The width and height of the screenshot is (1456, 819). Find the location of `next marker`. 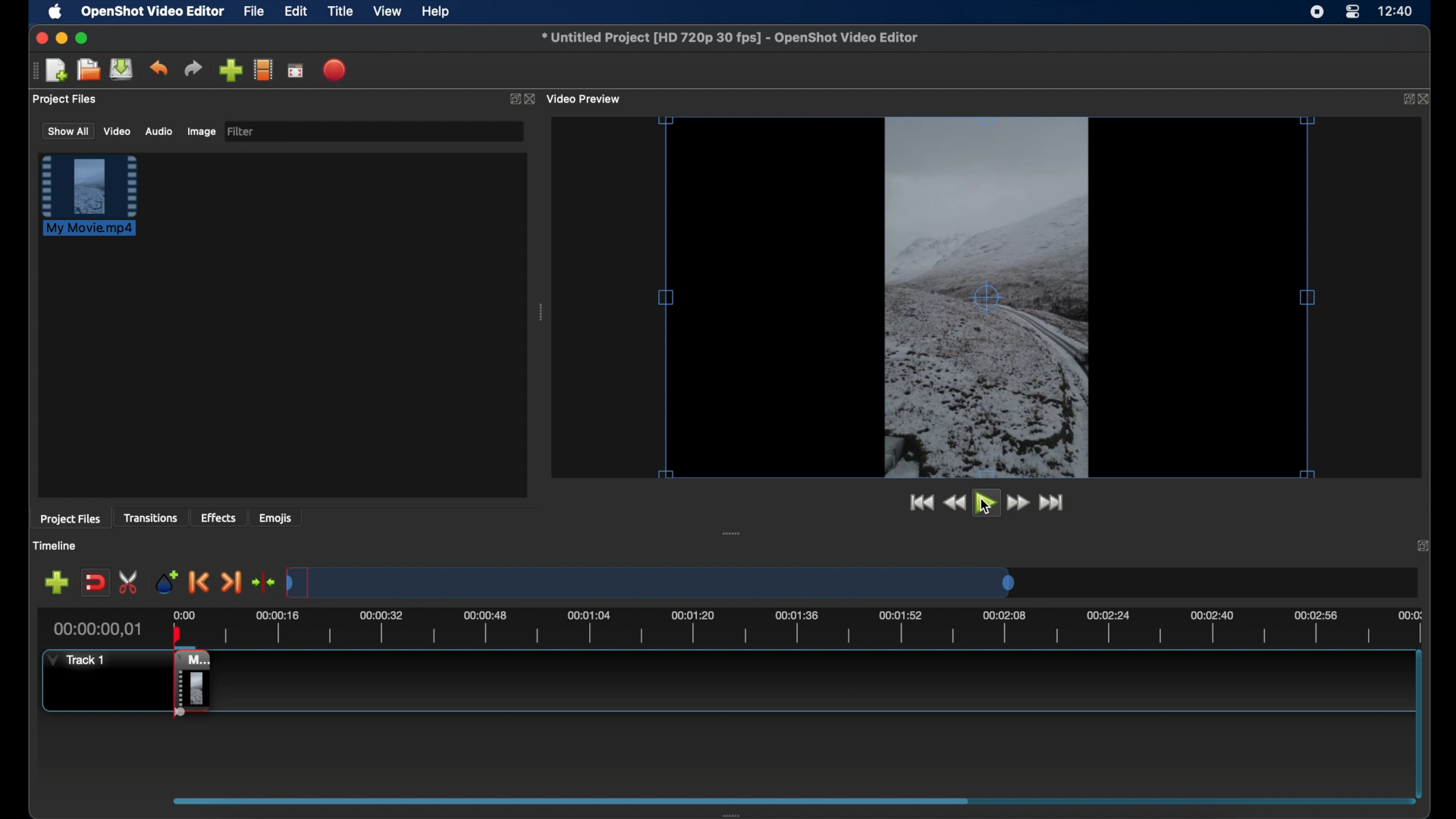

next marker is located at coordinates (231, 583).